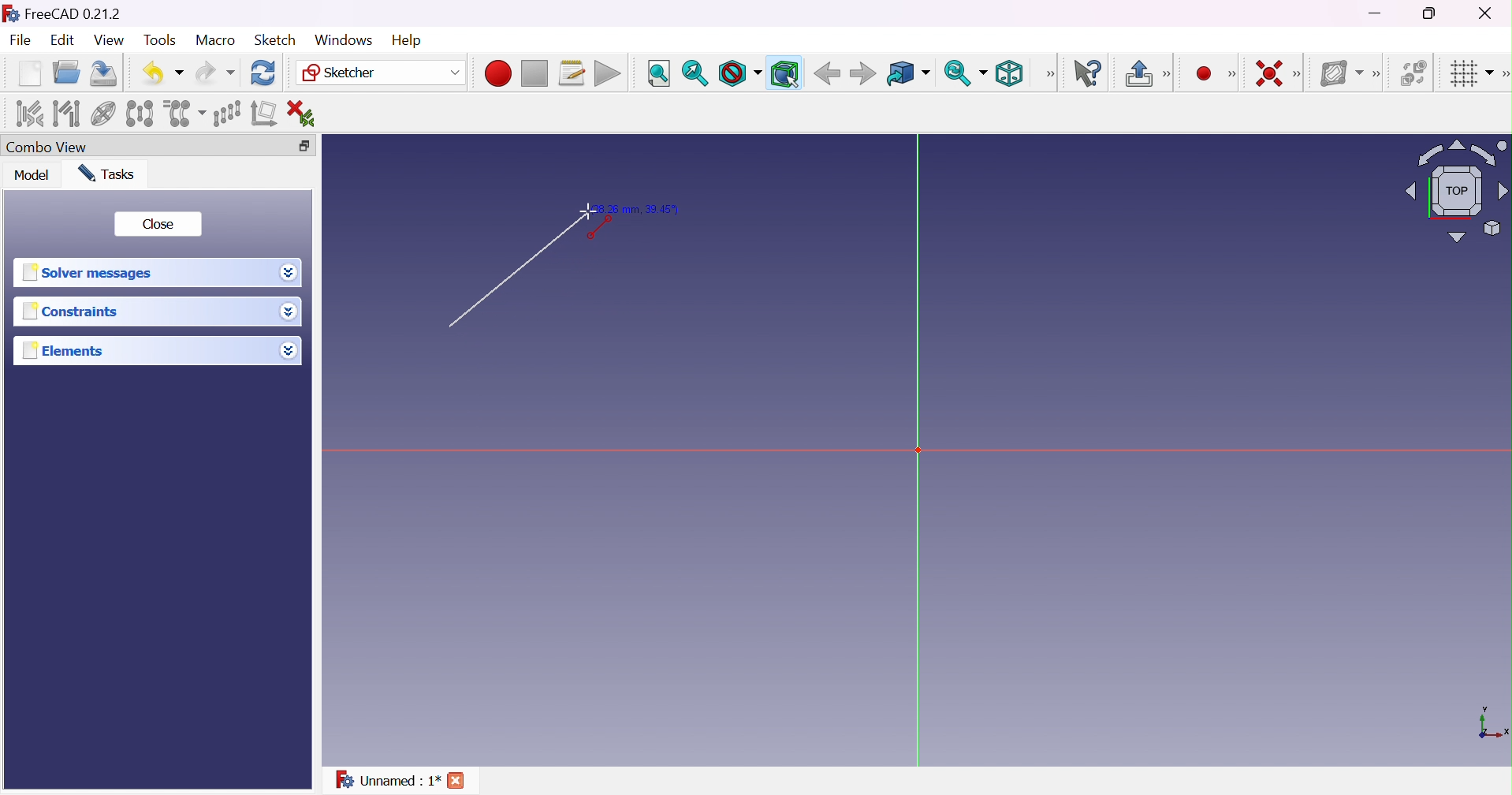  I want to click on Minimize, so click(1376, 15).